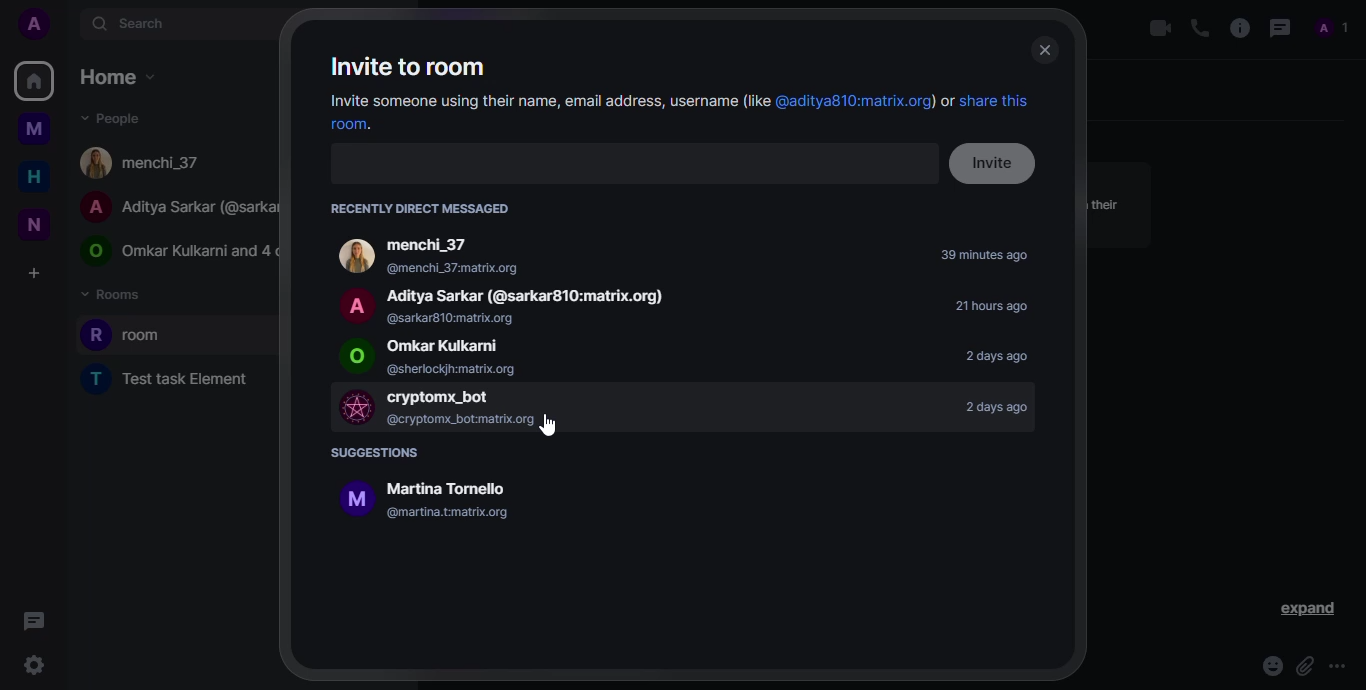  Describe the element at coordinates (675, 112) in the screenshot. I see `Invite someone using their name, email address, username(like @aditya810:matrix.org) or share this room.` at that location.